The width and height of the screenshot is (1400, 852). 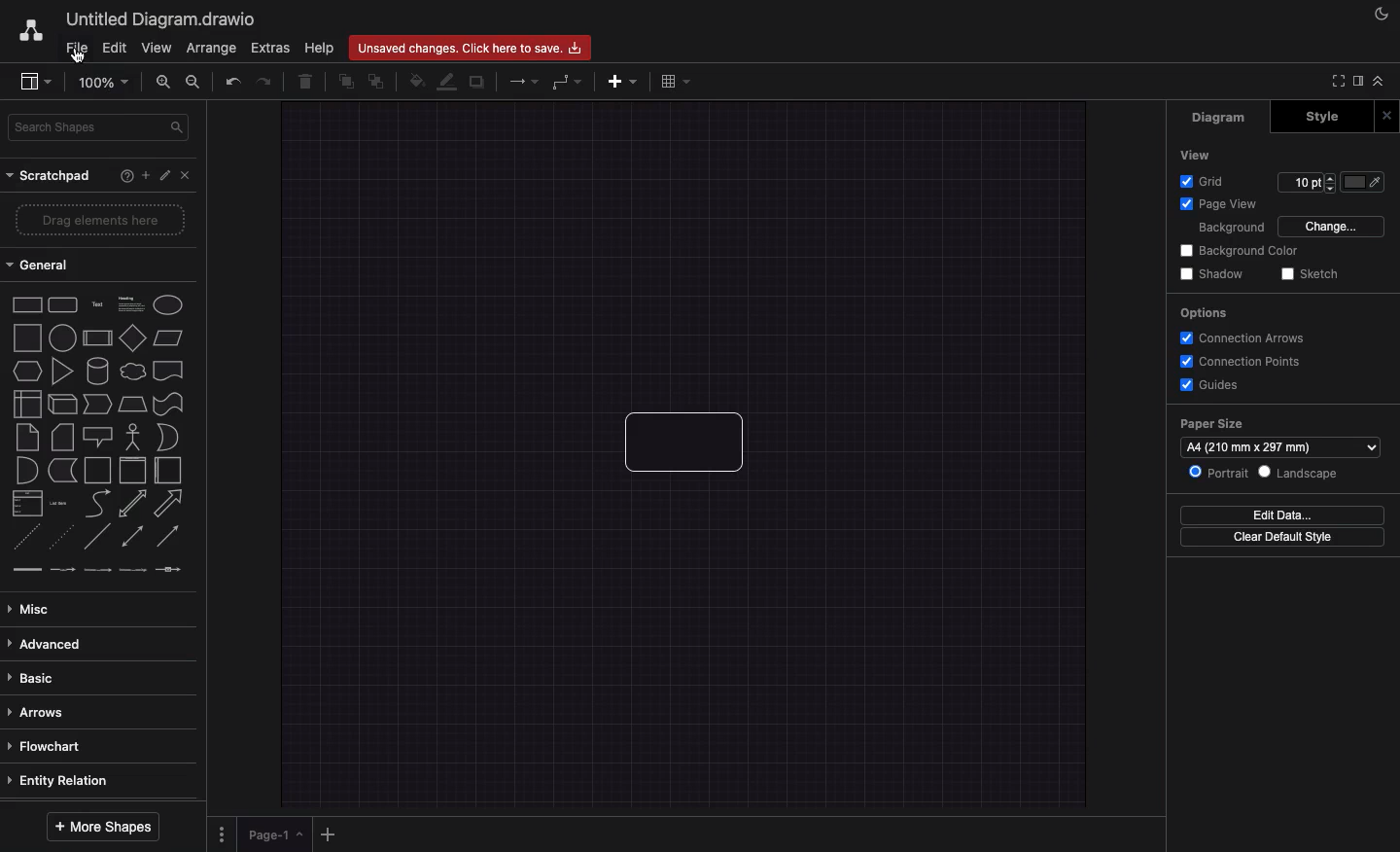 What do you see at coordinates (211, 50) in the screenshot?
I see `Arrange` at bounding box center [211, 50].